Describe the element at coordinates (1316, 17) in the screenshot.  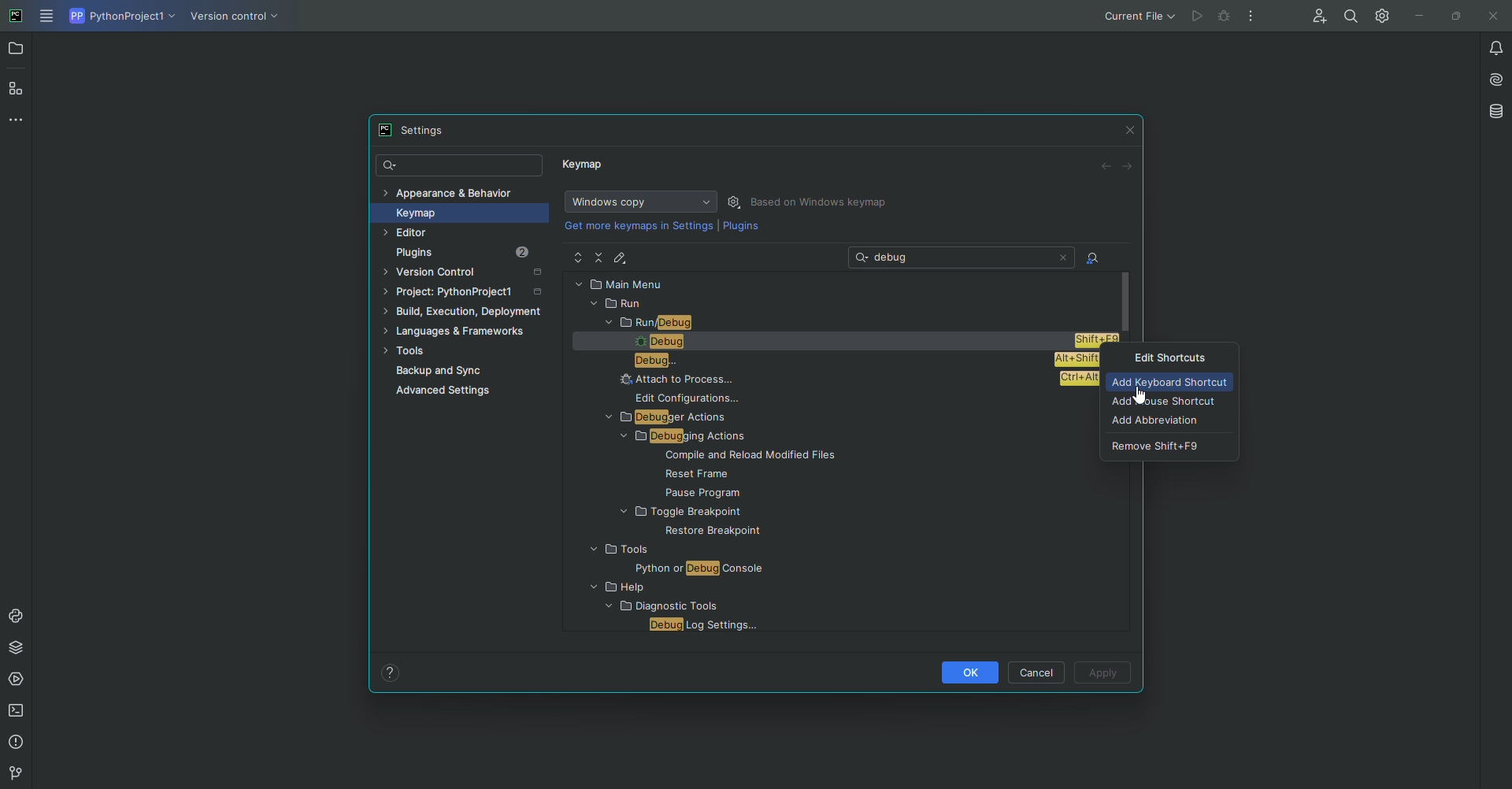
I see `Code with me` at that location.